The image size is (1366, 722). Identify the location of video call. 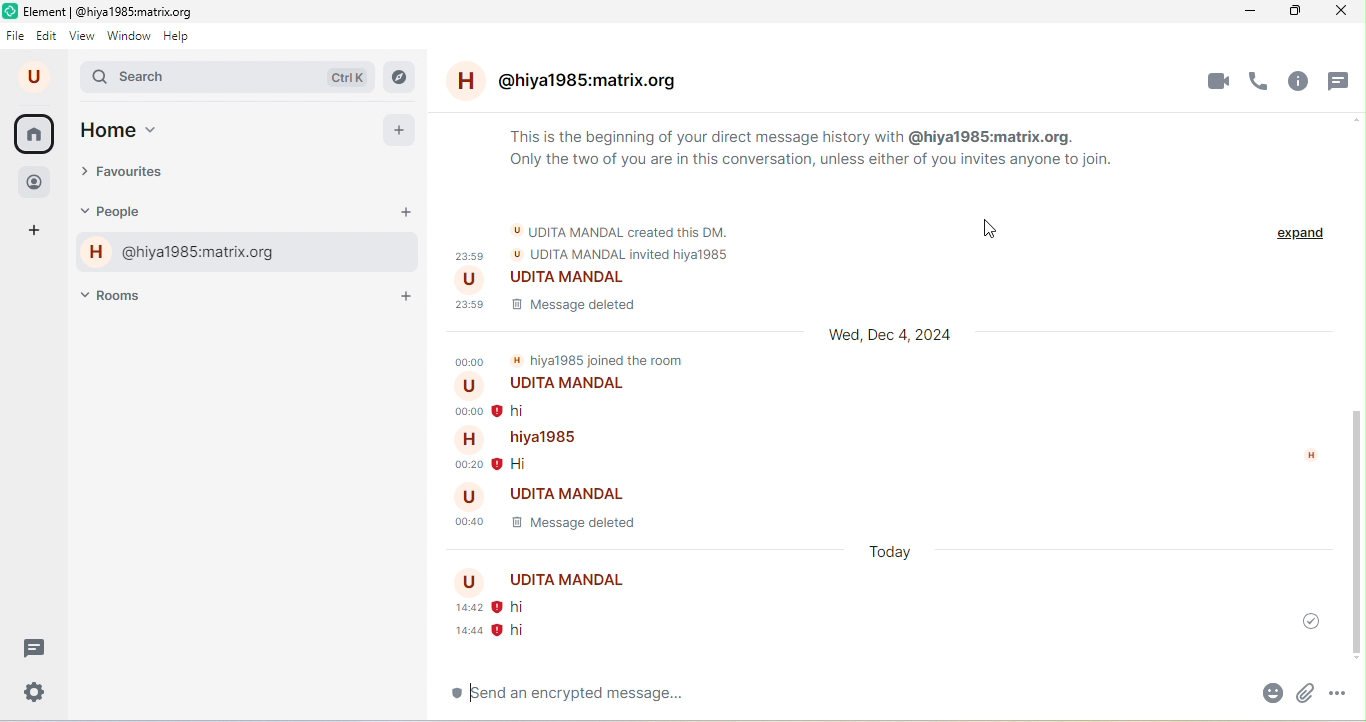
(1217, 81).